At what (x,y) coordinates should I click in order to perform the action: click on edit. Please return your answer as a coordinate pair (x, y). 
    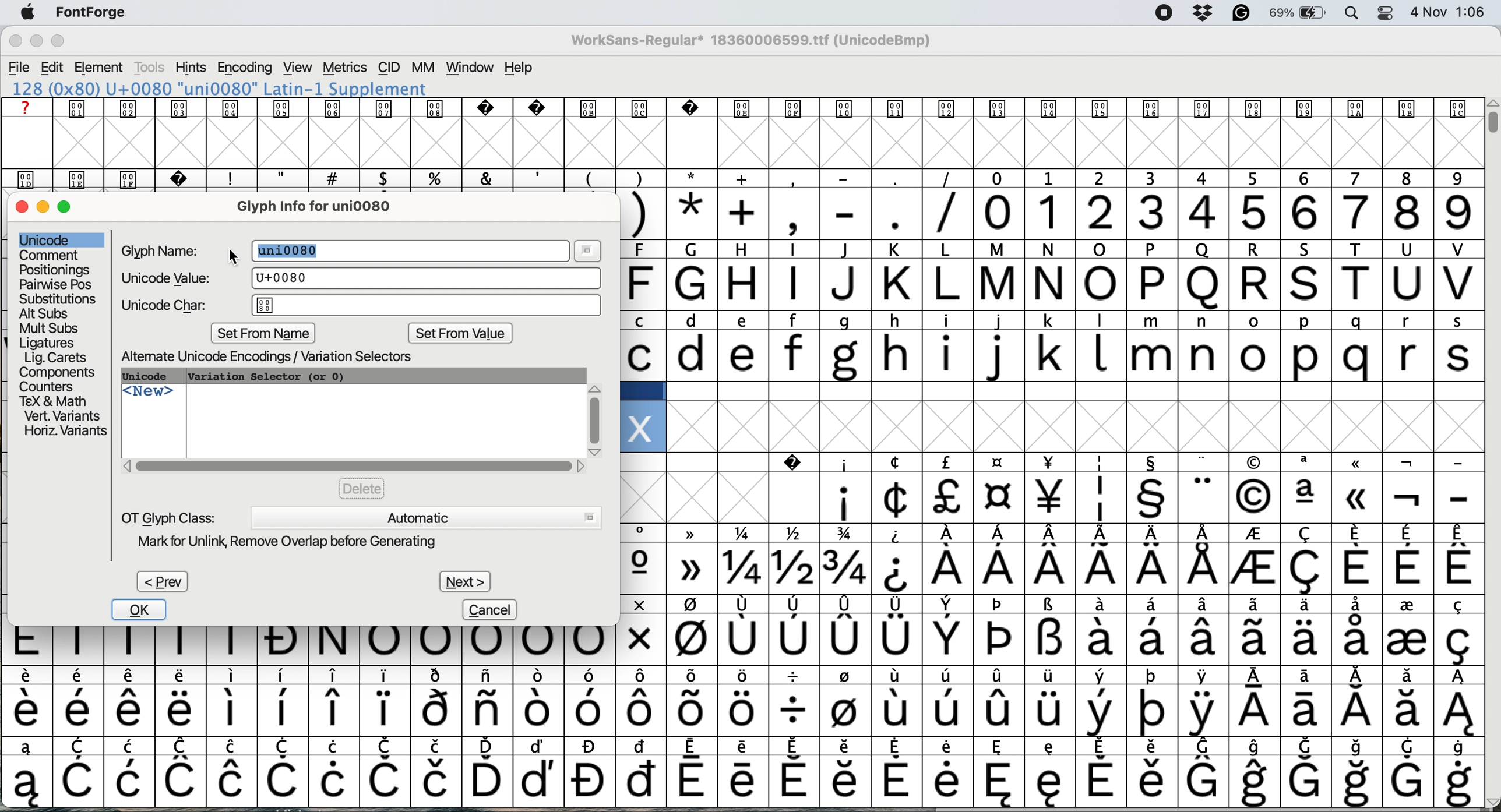
    Looking at the image, I should click on (54, 67).